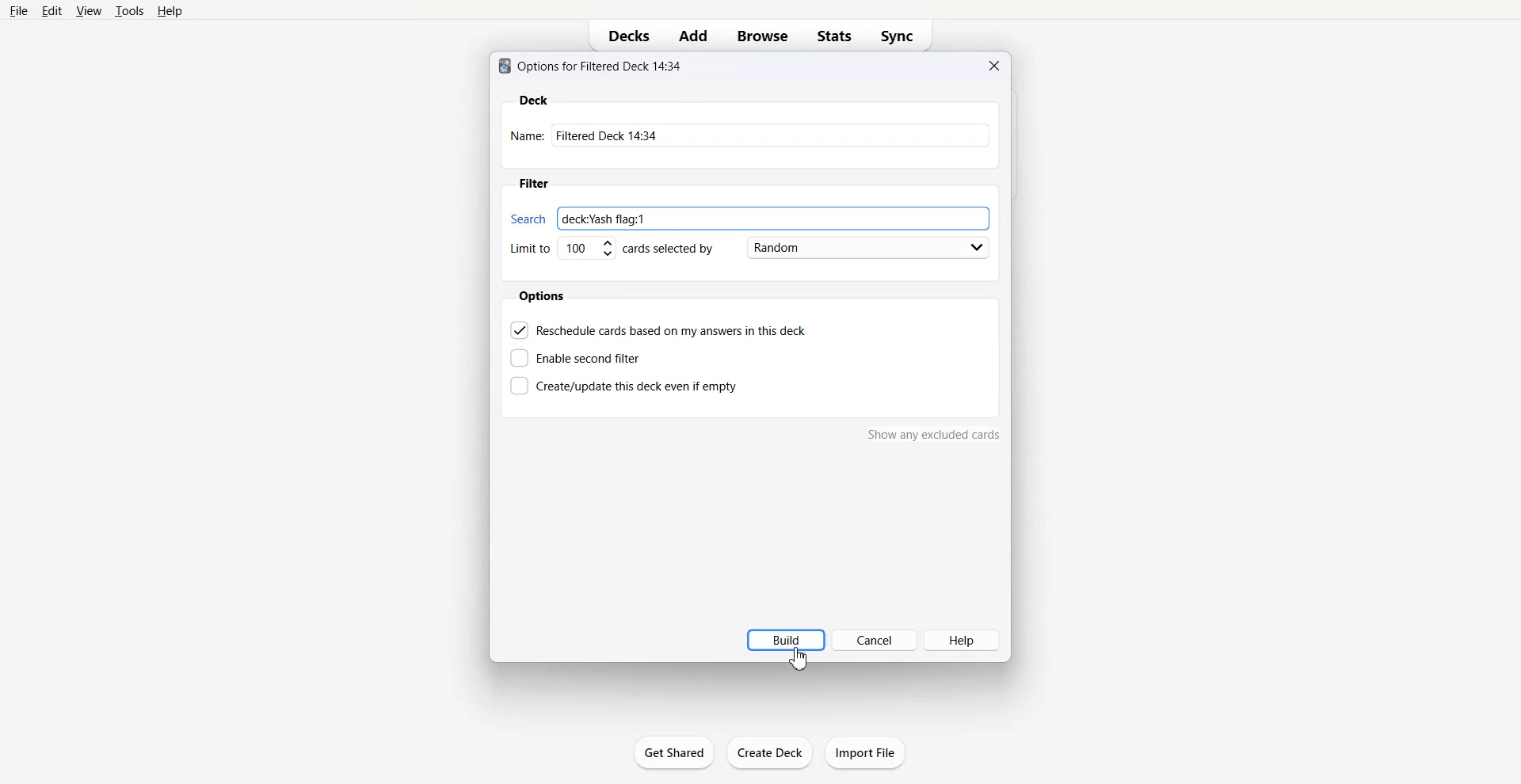 This screenshot has width=1521, height=784. Describe the element at coordinates (604, 219) in the screenshot. I see `Text added` at that location.